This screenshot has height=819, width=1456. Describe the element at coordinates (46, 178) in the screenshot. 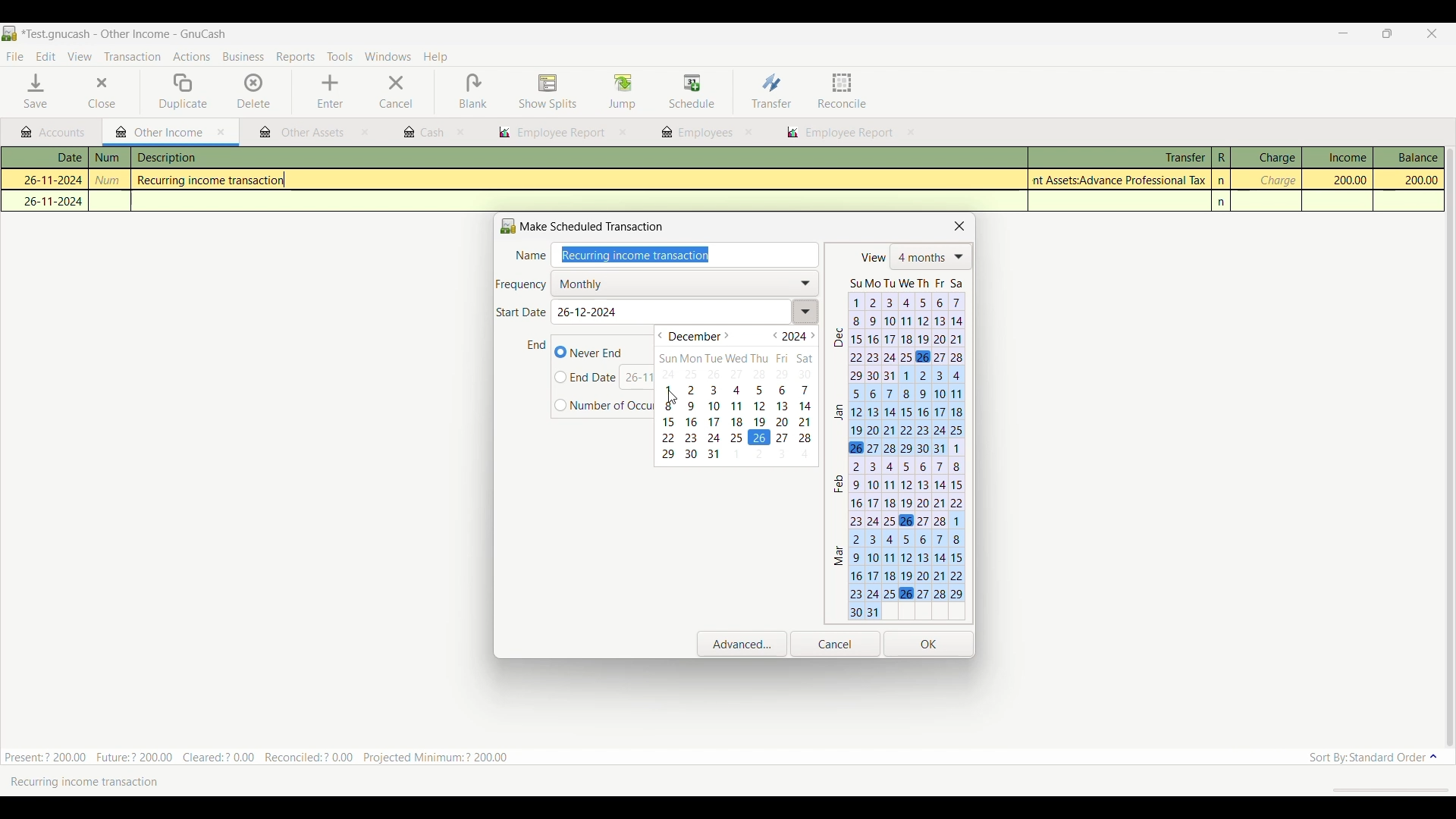

I see `26-11-2024` at that location.